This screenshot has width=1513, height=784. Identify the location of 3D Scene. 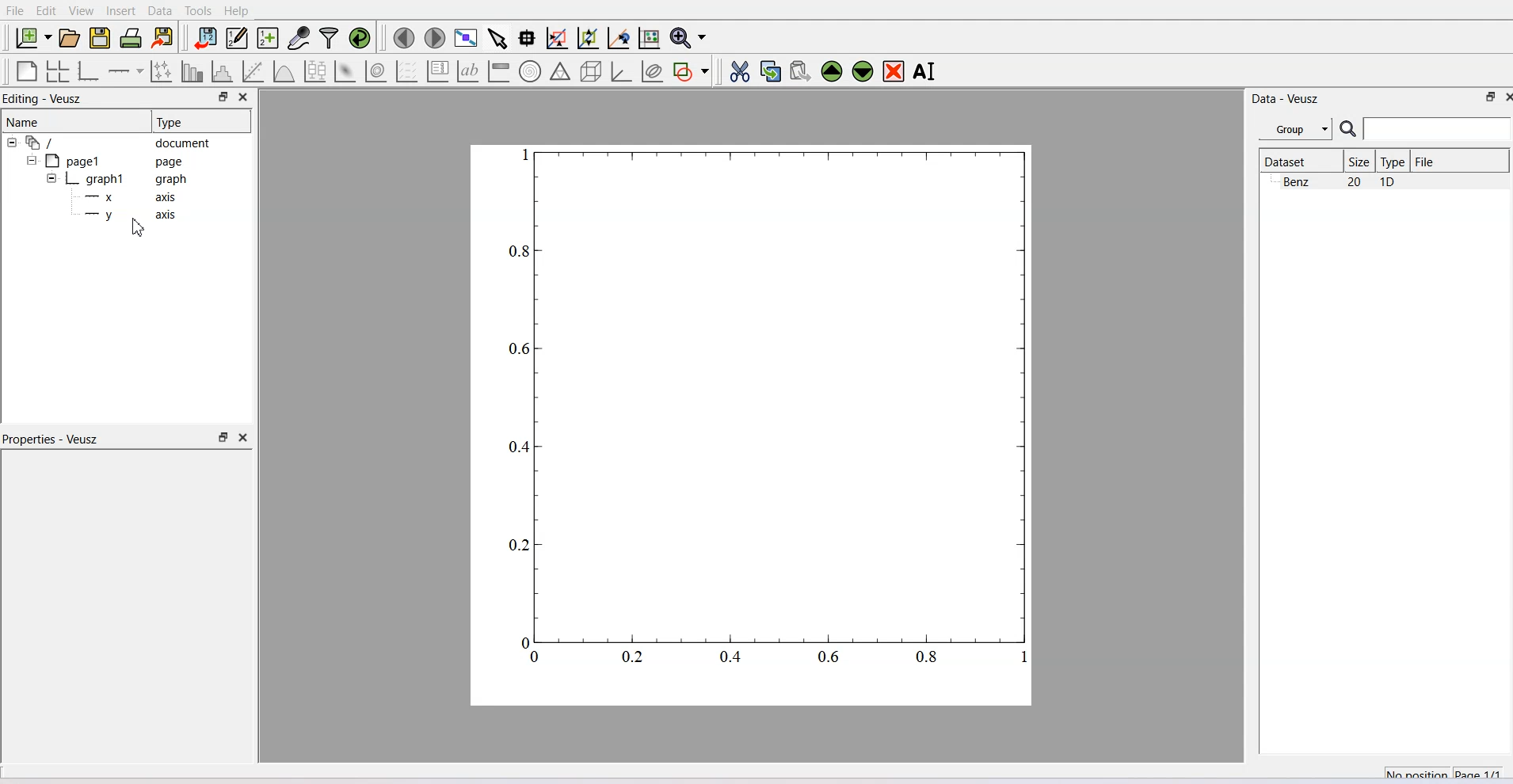
(591, 71).